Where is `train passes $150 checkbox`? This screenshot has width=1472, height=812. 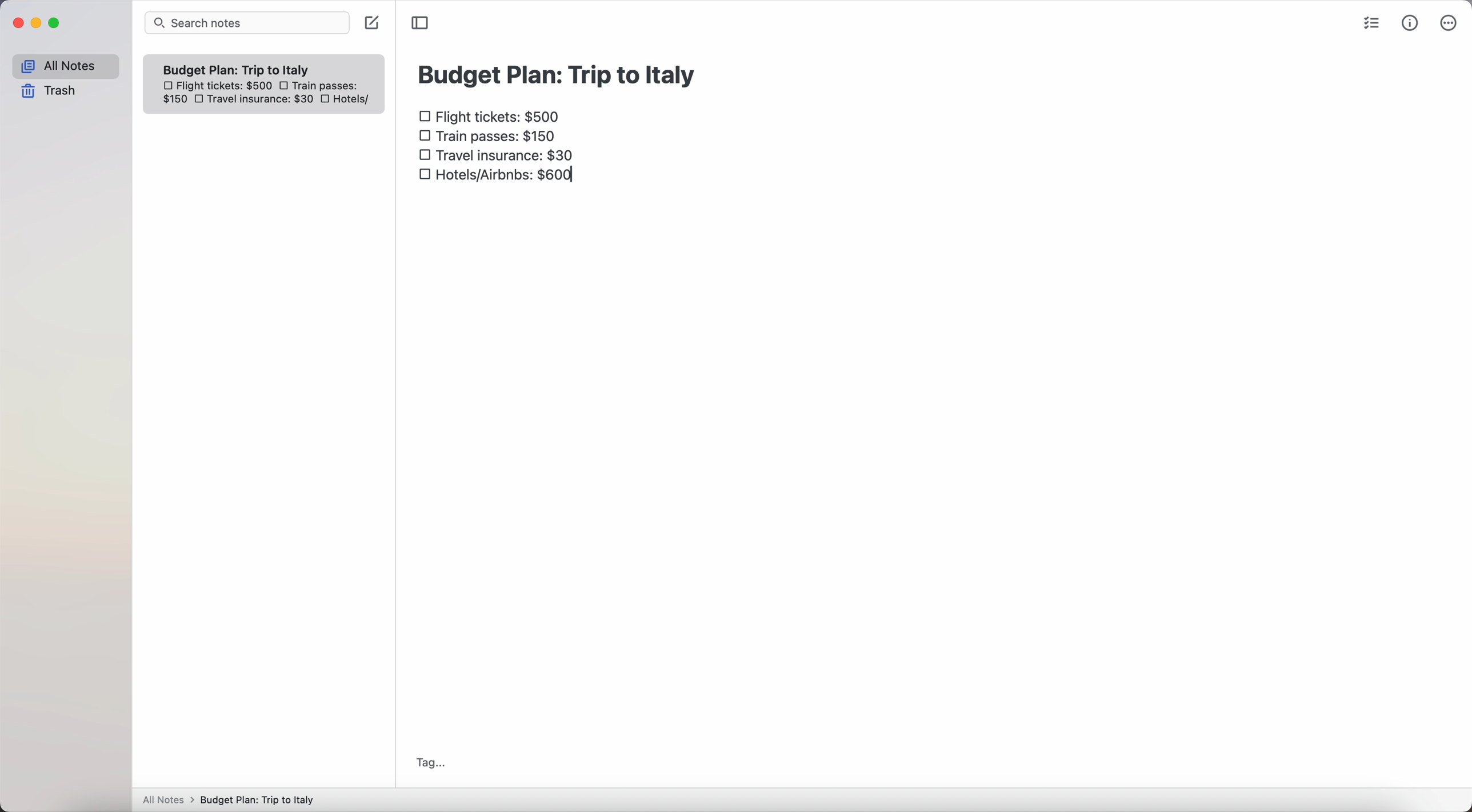
train passes $150 checkbox is located at coordinates (489, 139).